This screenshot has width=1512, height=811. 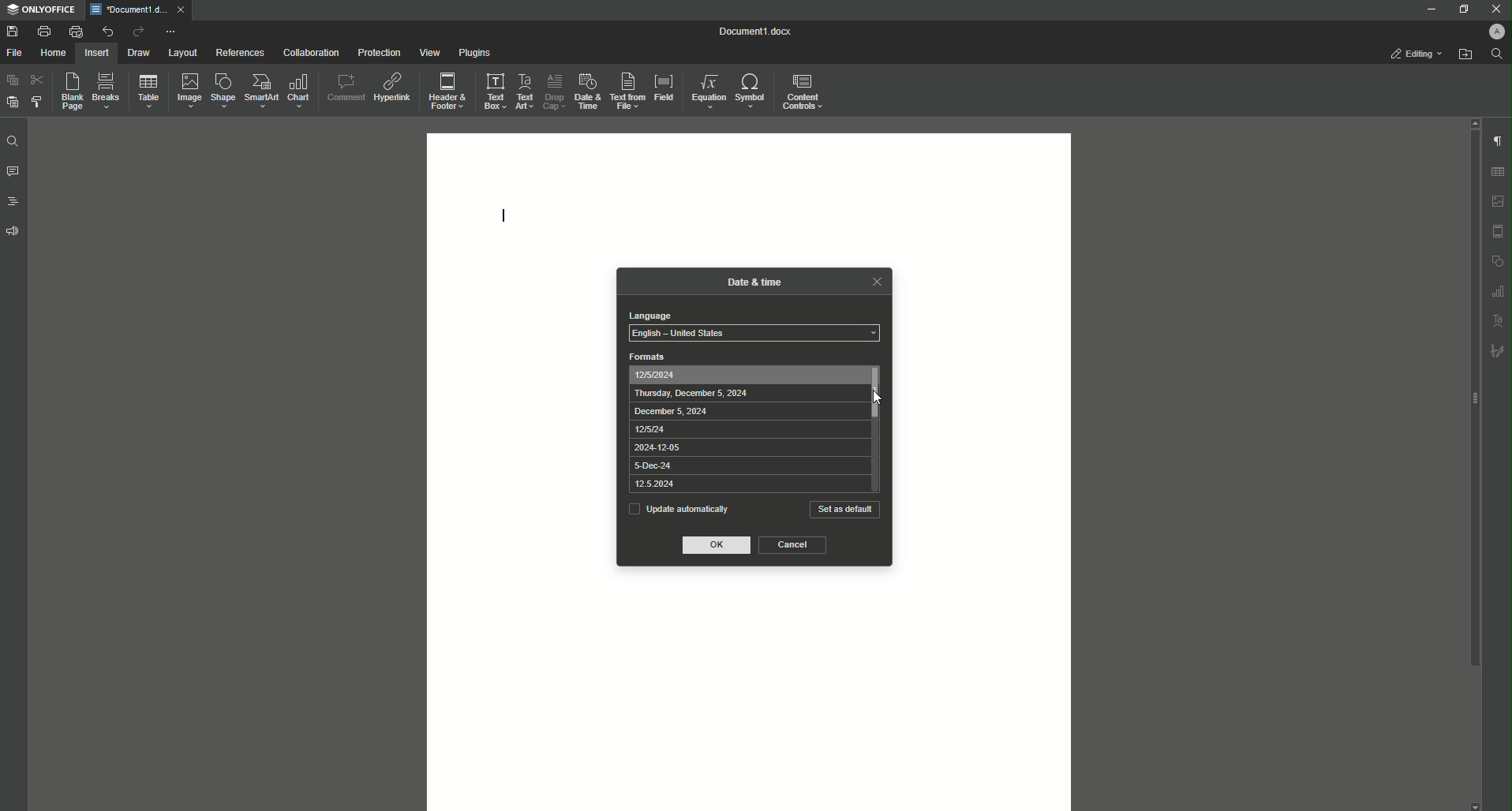 I want to click on 12.5.2024, so click(x=653, y=484).